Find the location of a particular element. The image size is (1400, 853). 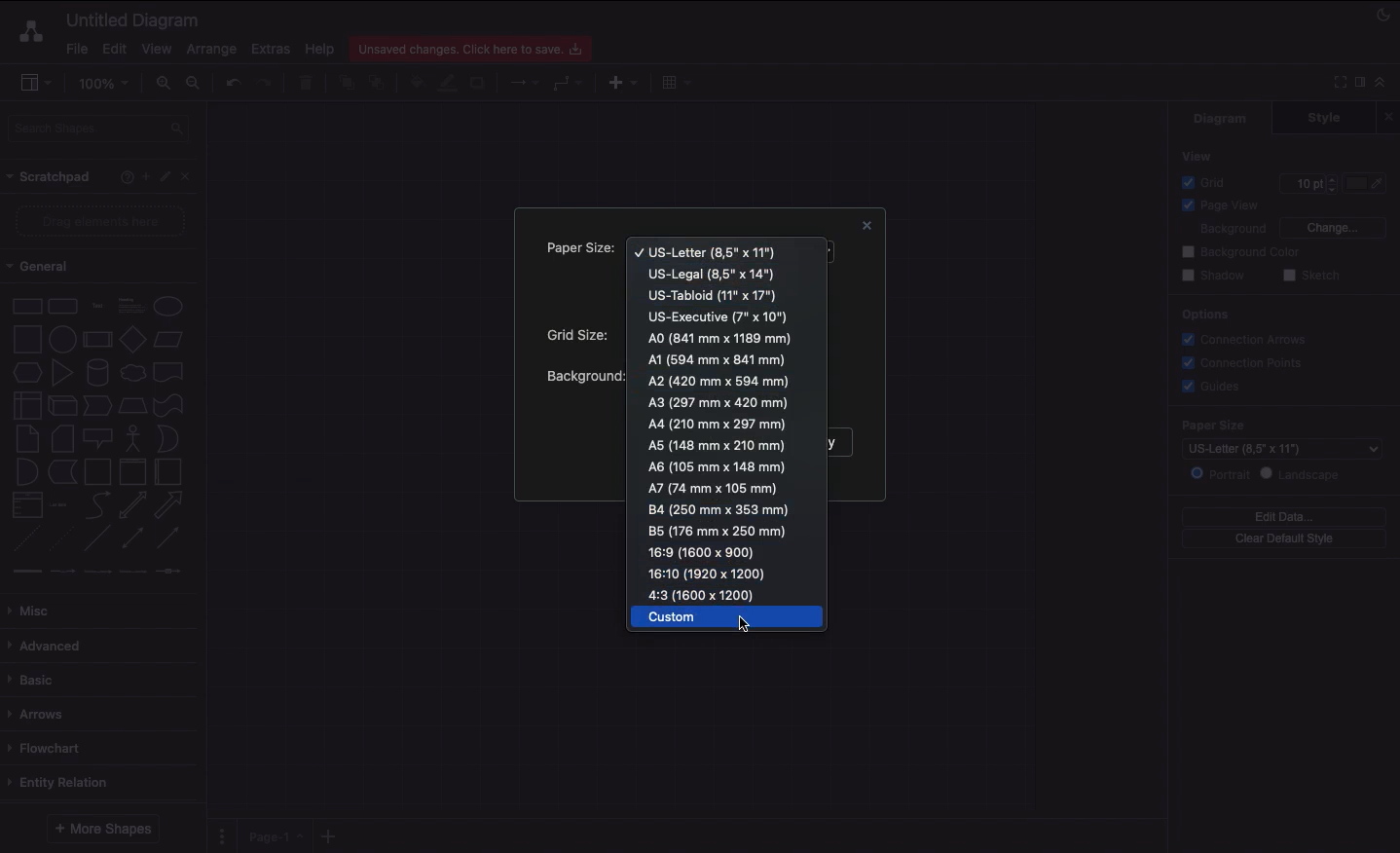

Edit data is located at coordinates (1284, 516).